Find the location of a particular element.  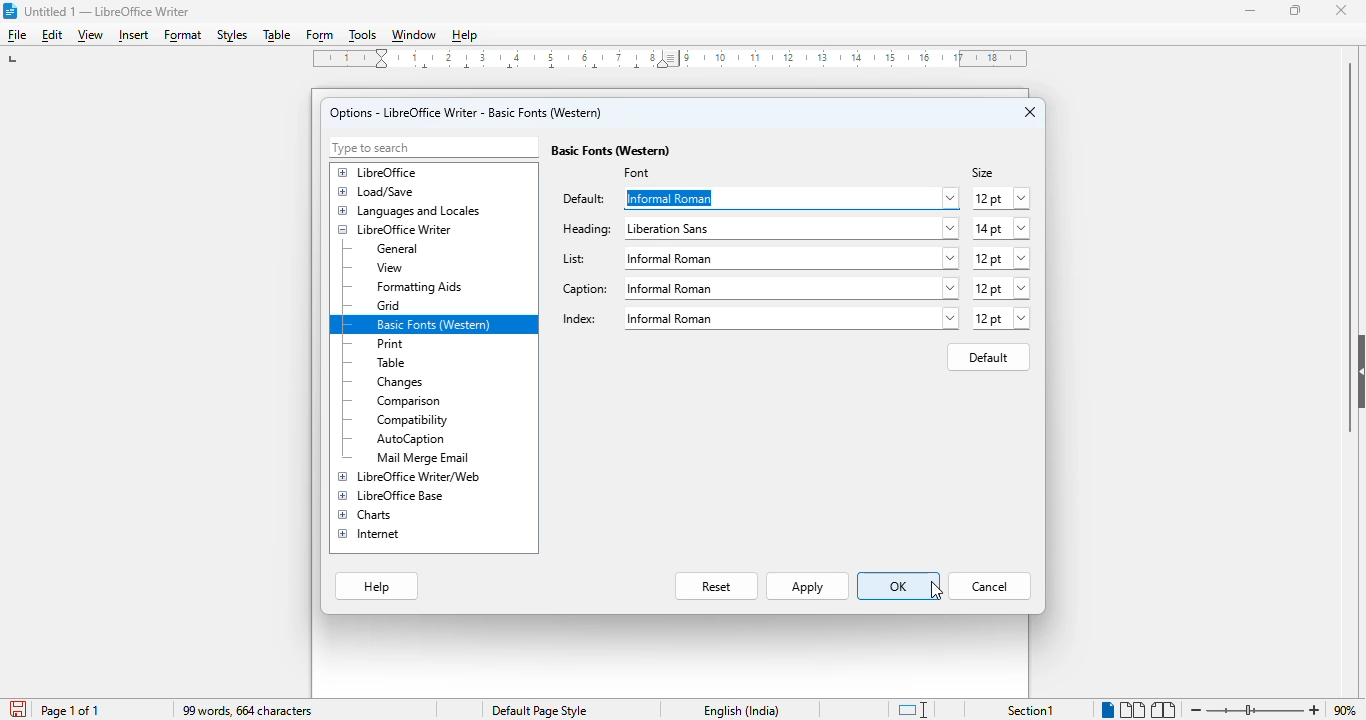

basic fonts (western) is located at coordinates (434, 325).